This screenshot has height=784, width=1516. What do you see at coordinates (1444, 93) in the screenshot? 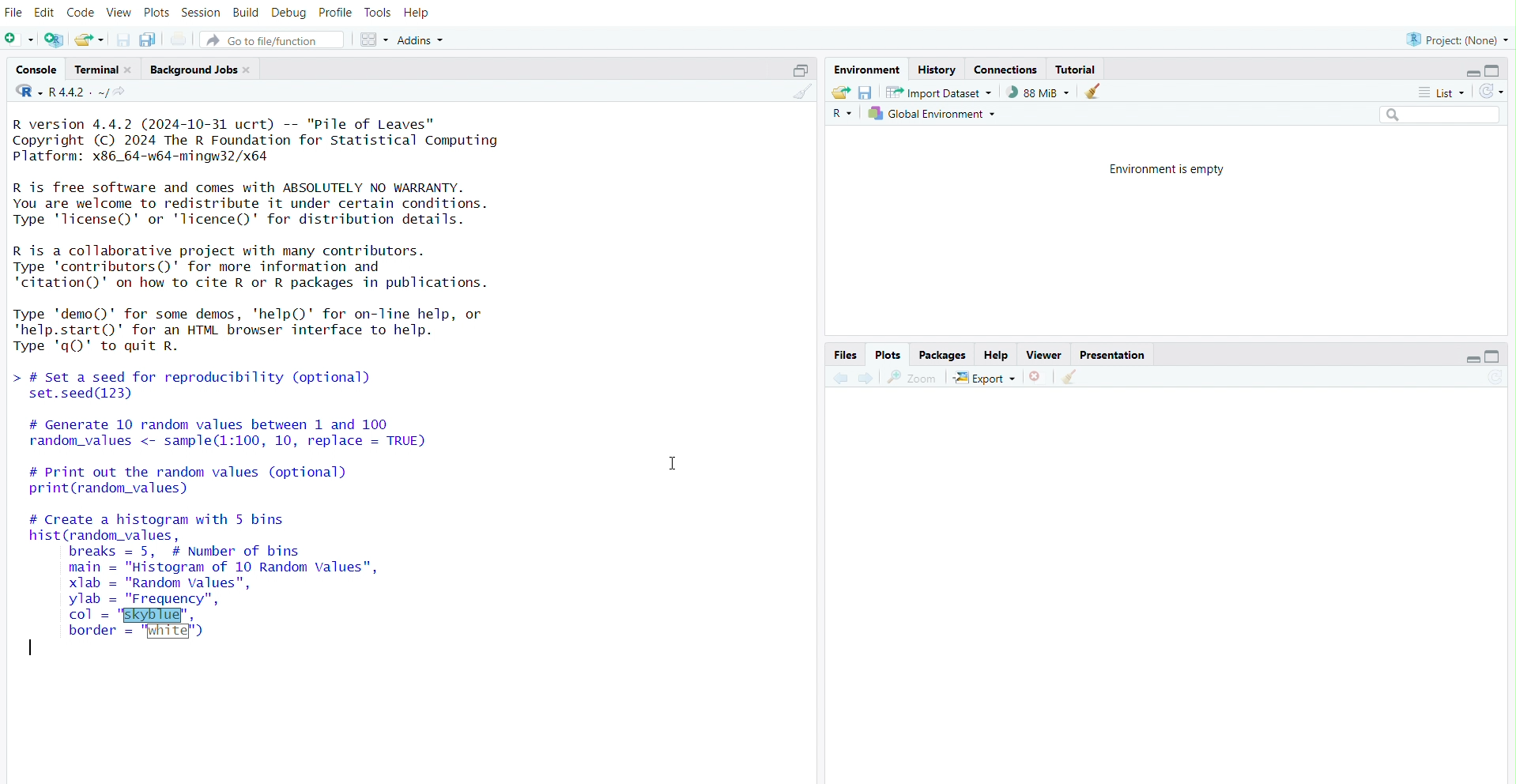
I see `list` at bounding box center [1444, 93].